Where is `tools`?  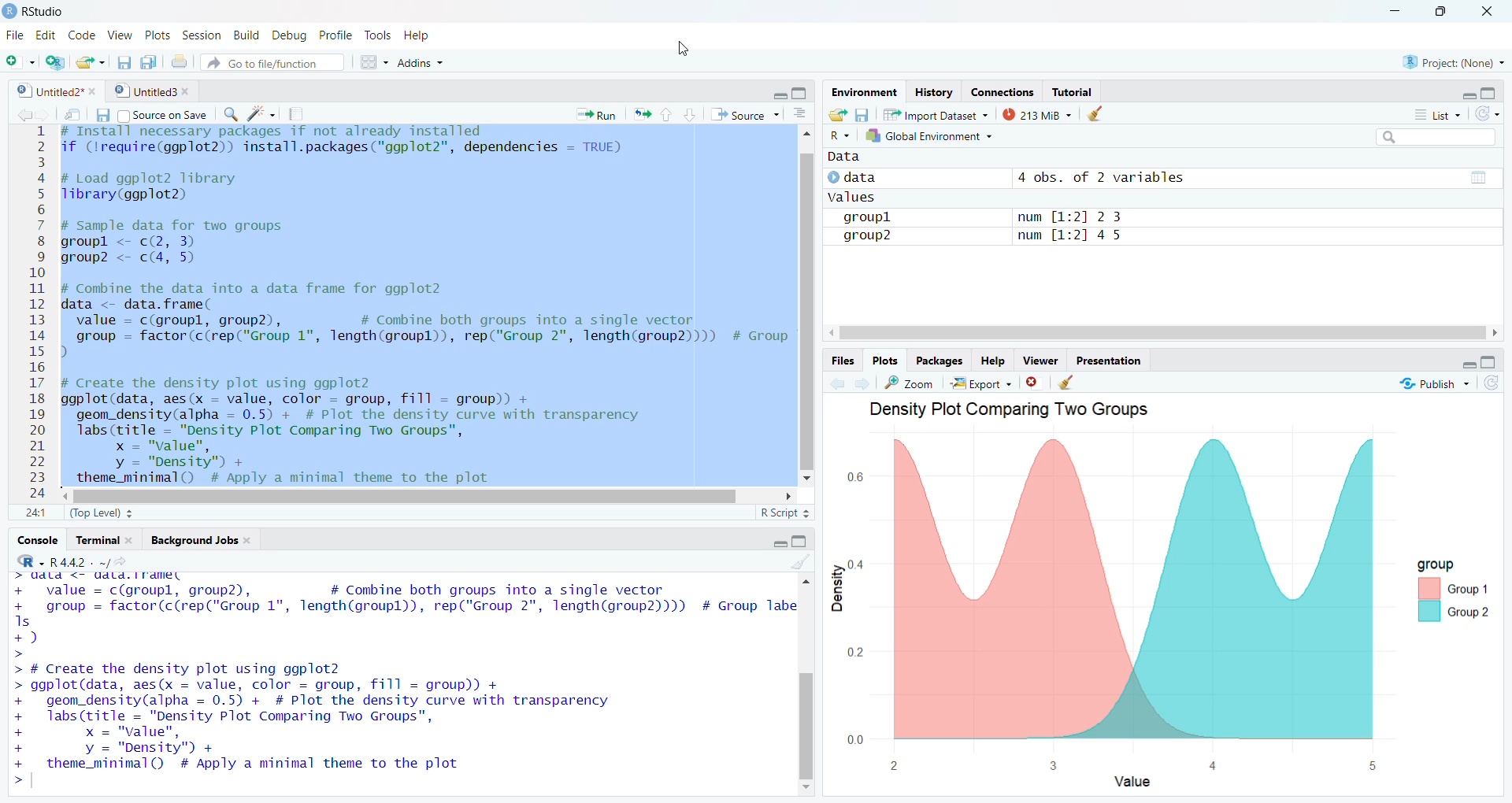 tools is located at coordinates (377, 36).